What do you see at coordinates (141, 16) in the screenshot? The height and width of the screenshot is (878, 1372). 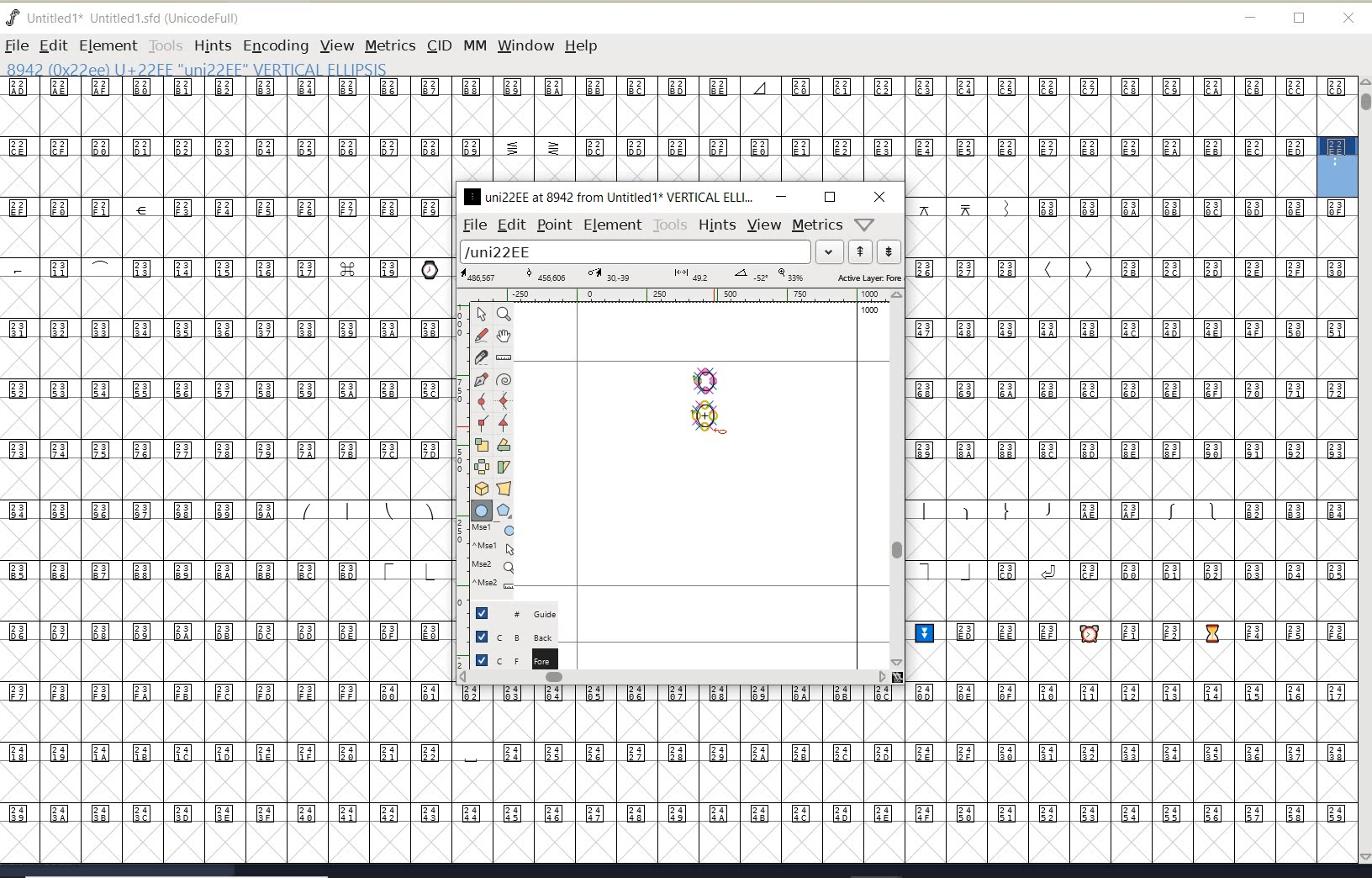 I see `untitled1* Untitled 1.sfd (UnicodeFull)` at bounding box center [141, 16].